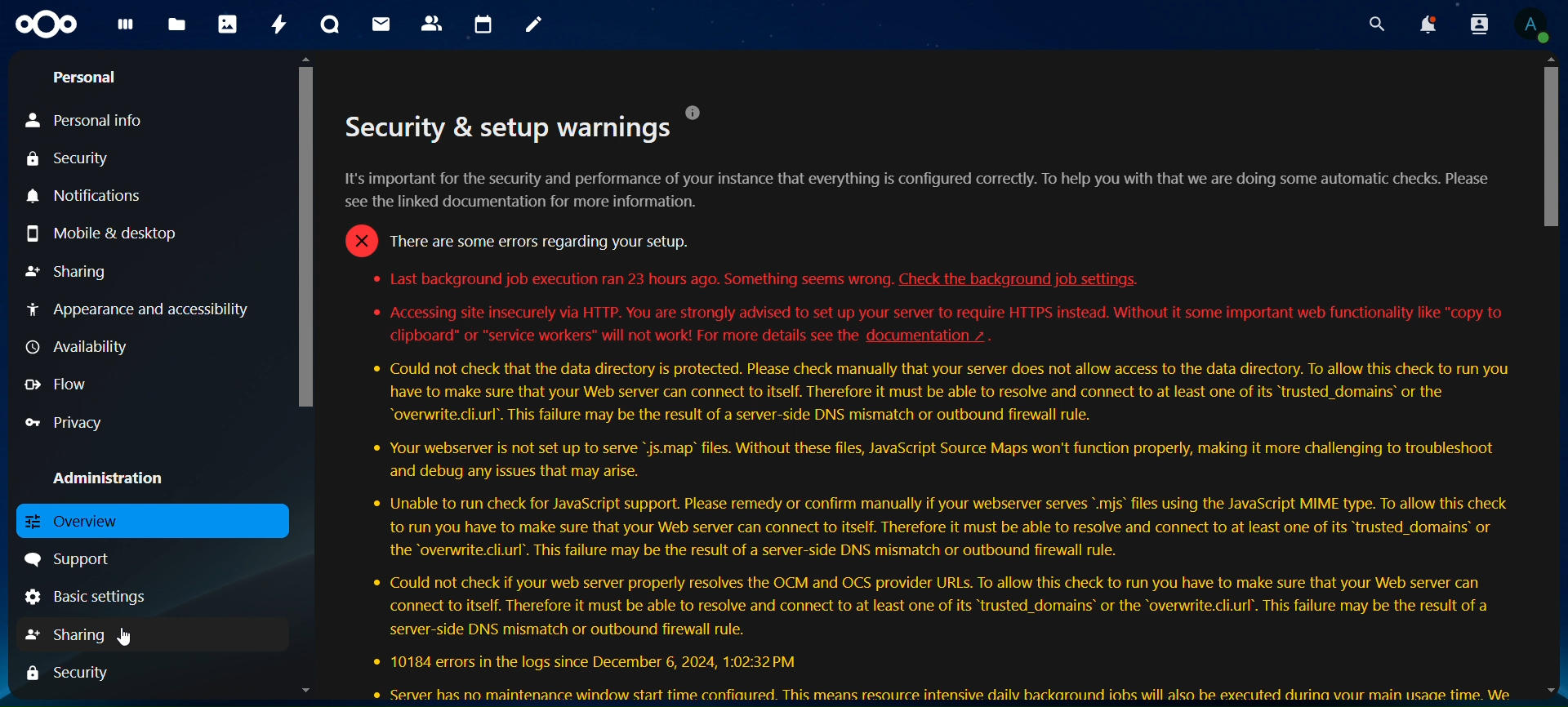 This screenshot has width=1568, height=707. What do you see at coordinates (123, 31) in the screenshot?
I see `dashboard` at bounding box center [123, 31].